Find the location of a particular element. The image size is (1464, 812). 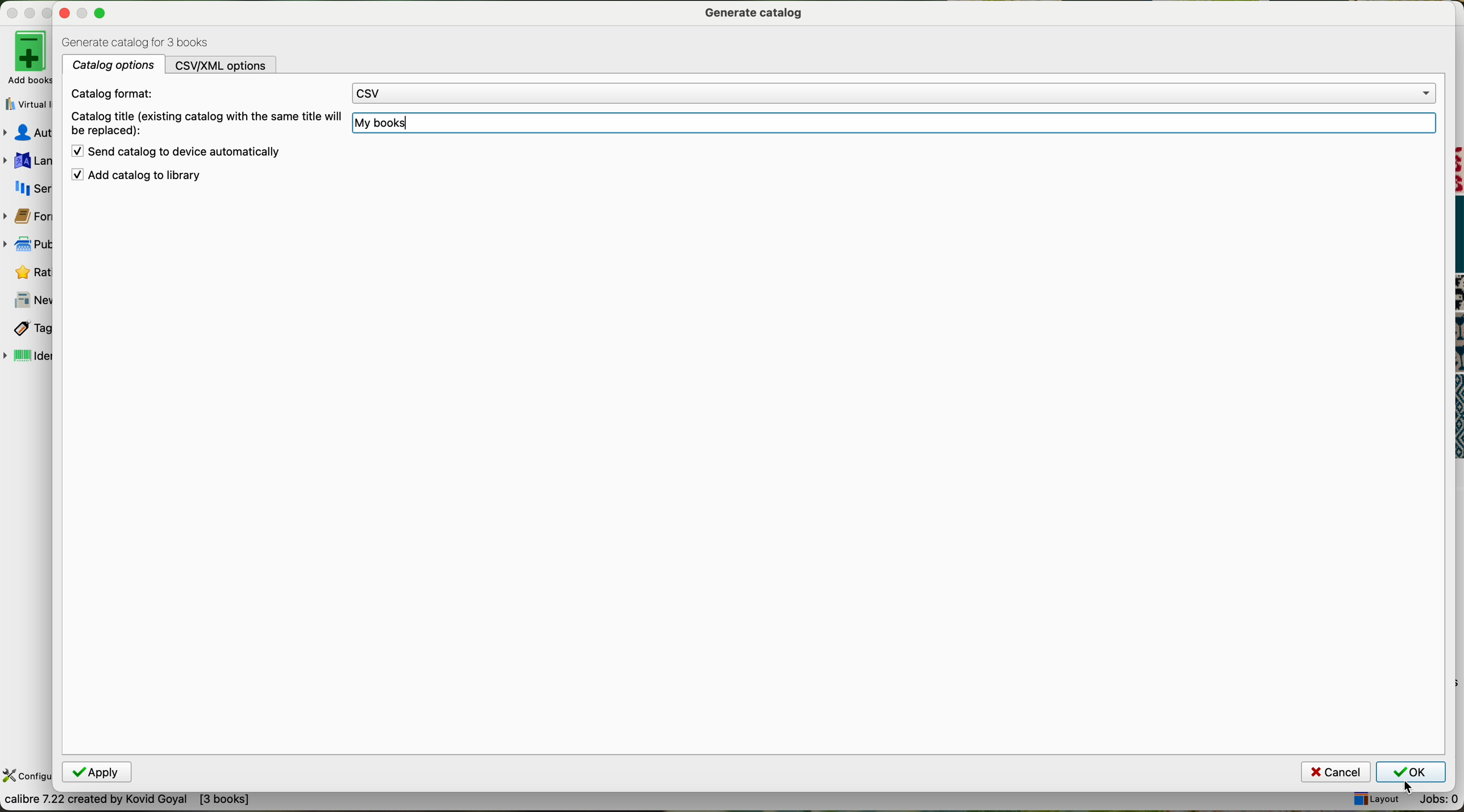

cancel is located at coordinates (1335, 772).